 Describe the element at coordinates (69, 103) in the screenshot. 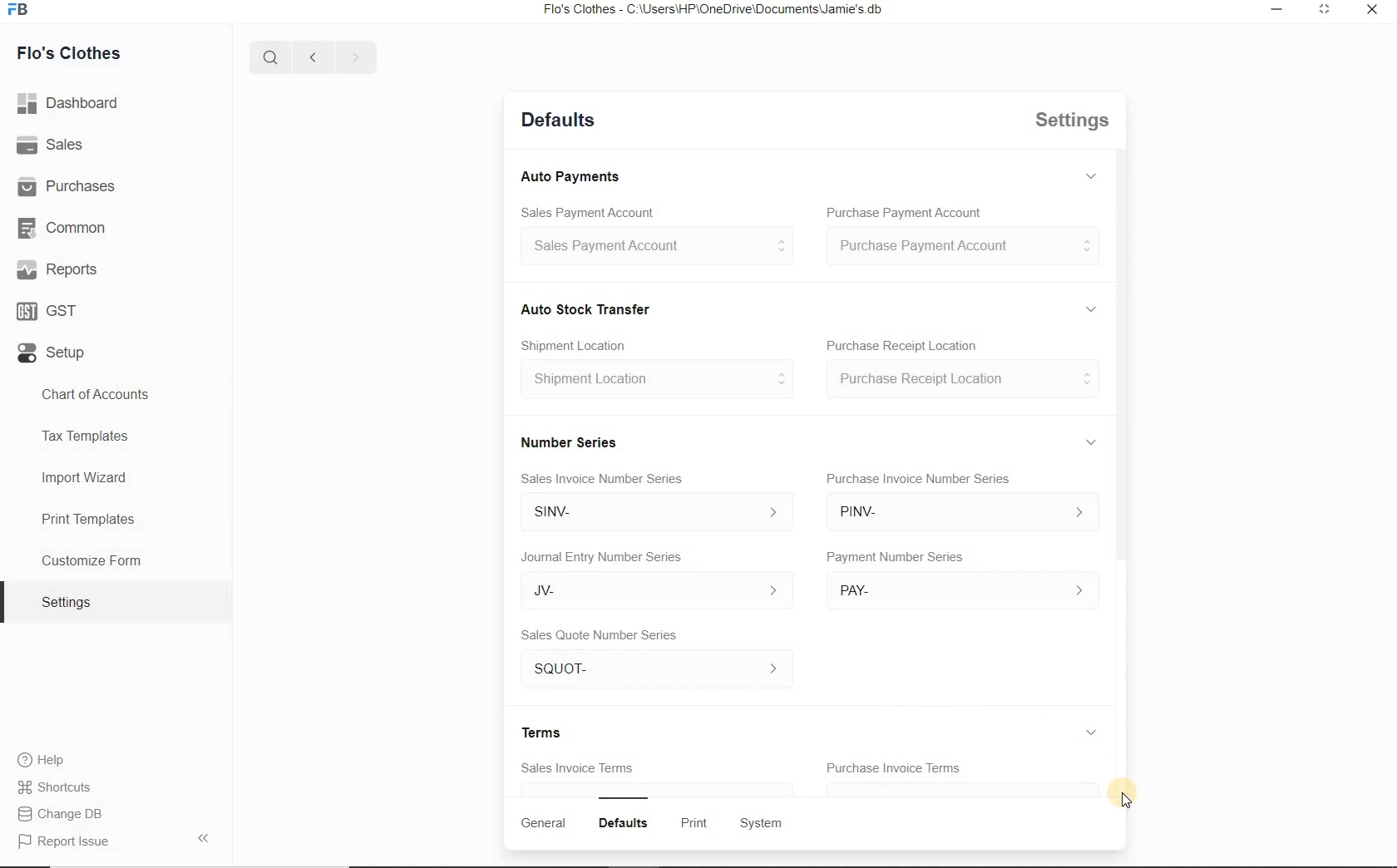

I see `Dashboard` at that location.